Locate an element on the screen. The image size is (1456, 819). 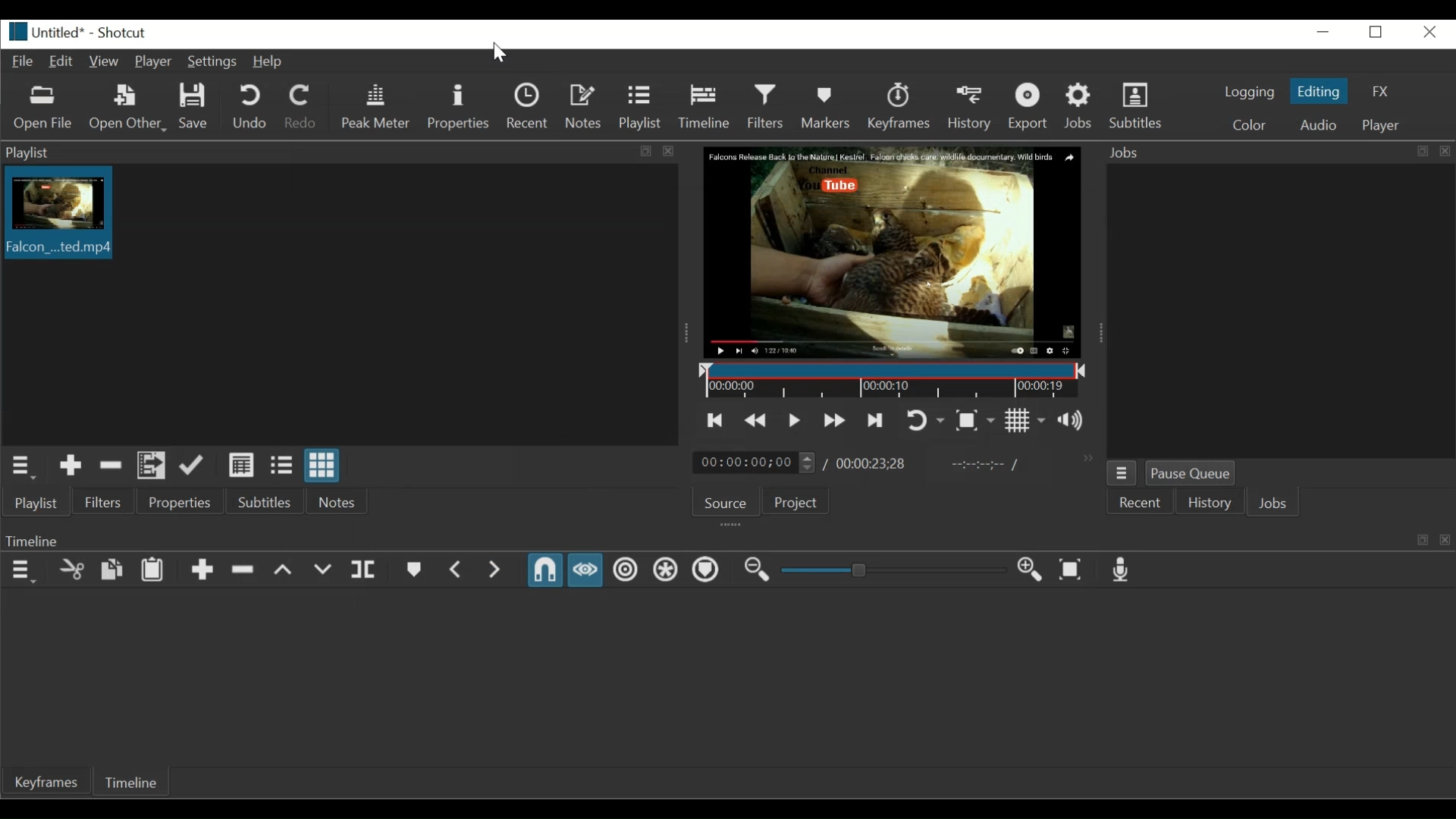
Color is located at coordinates (1250, 124).